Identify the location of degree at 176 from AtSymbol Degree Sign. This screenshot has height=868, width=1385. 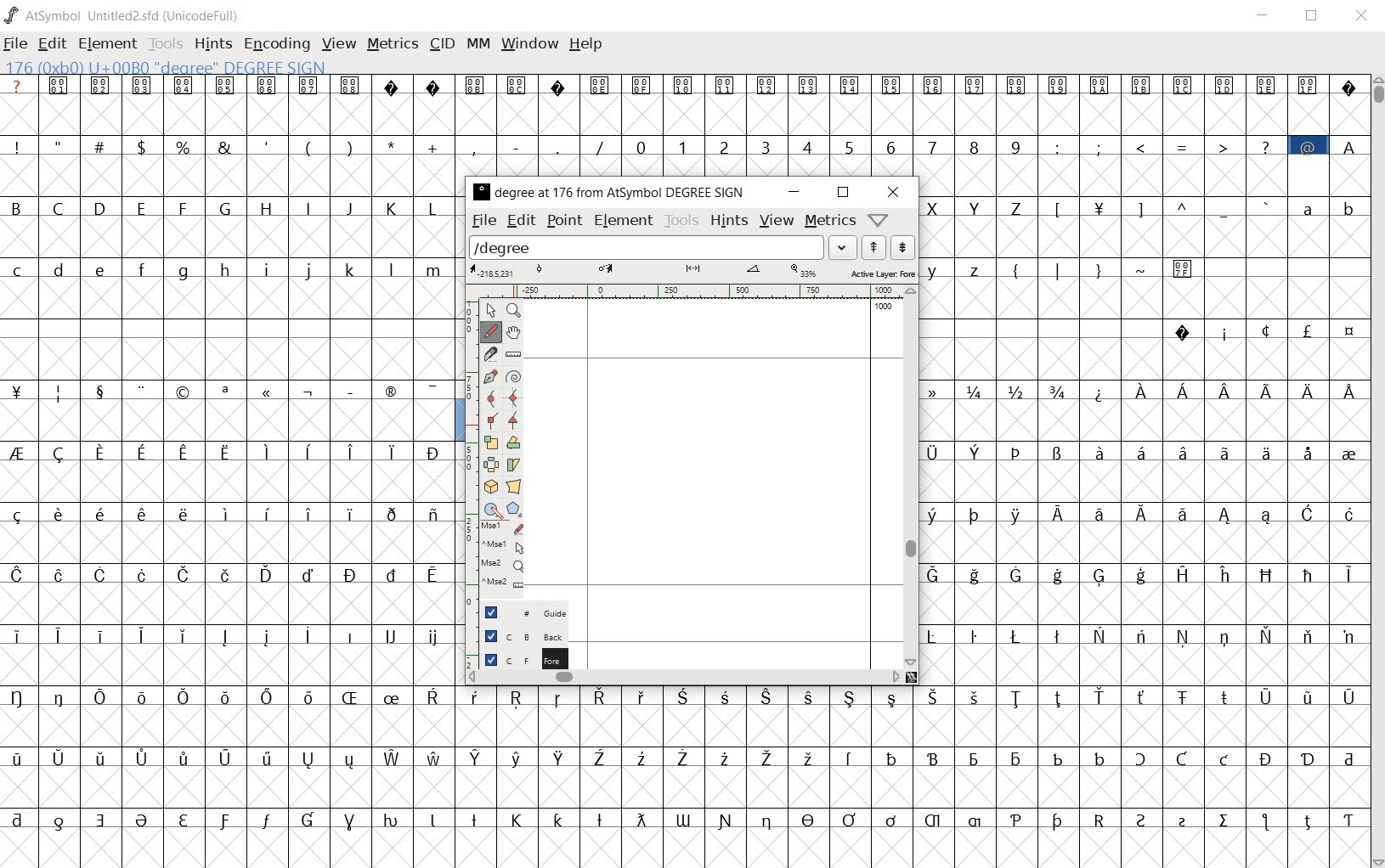
(610, 194).